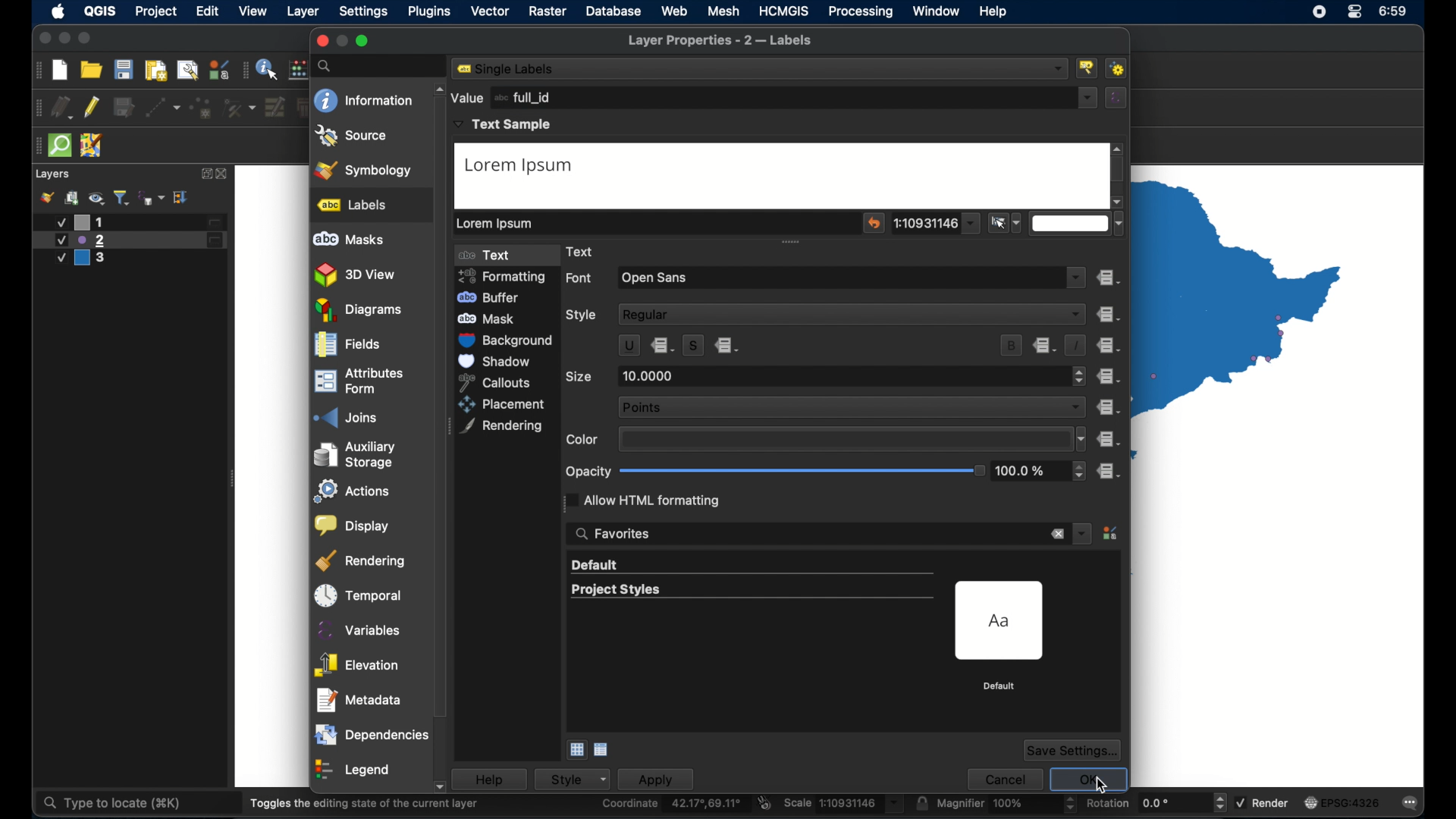 The height and width of the screenshot is (819, 1456). Describe the element at coordinates (579, 376) in the screenshot. I see `size` at that location.